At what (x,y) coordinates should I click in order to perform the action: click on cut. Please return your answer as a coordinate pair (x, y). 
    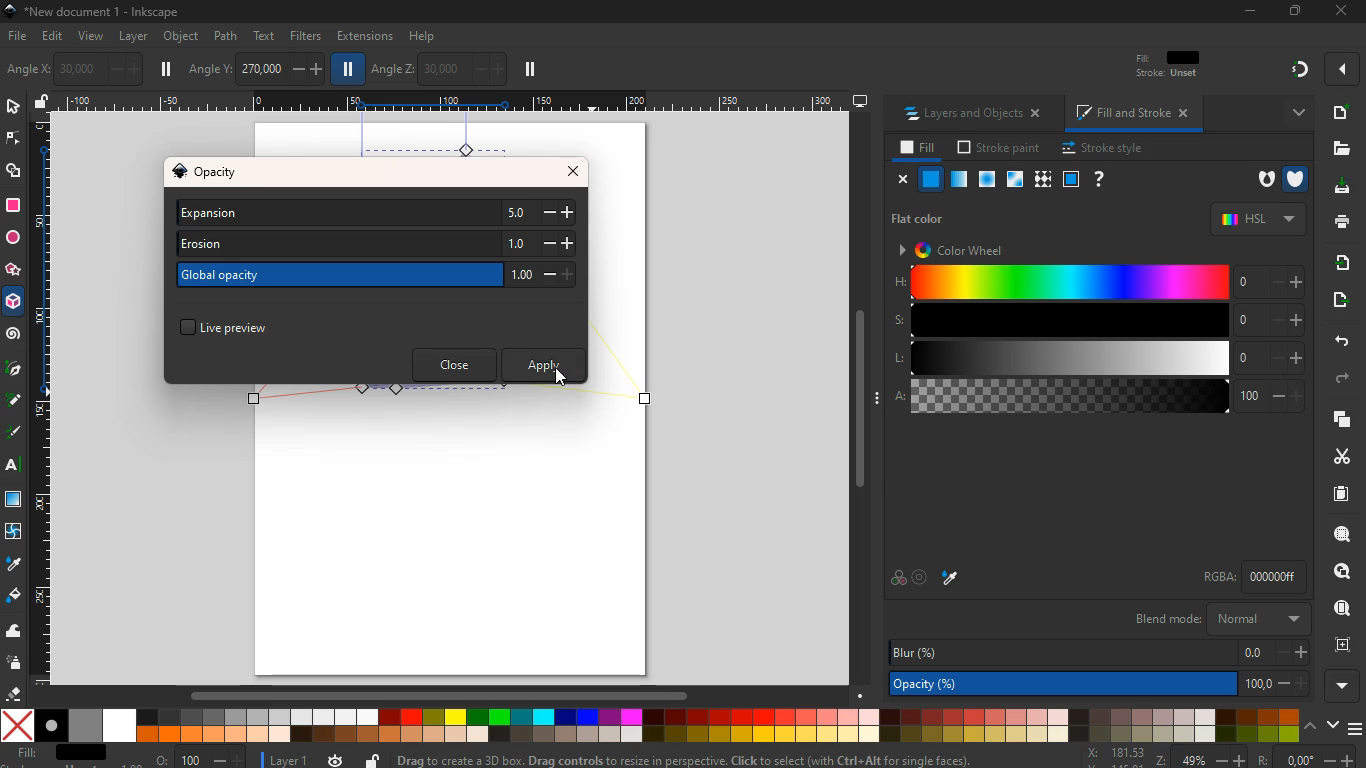
    Looking at the image, I should click on (1334, 456).